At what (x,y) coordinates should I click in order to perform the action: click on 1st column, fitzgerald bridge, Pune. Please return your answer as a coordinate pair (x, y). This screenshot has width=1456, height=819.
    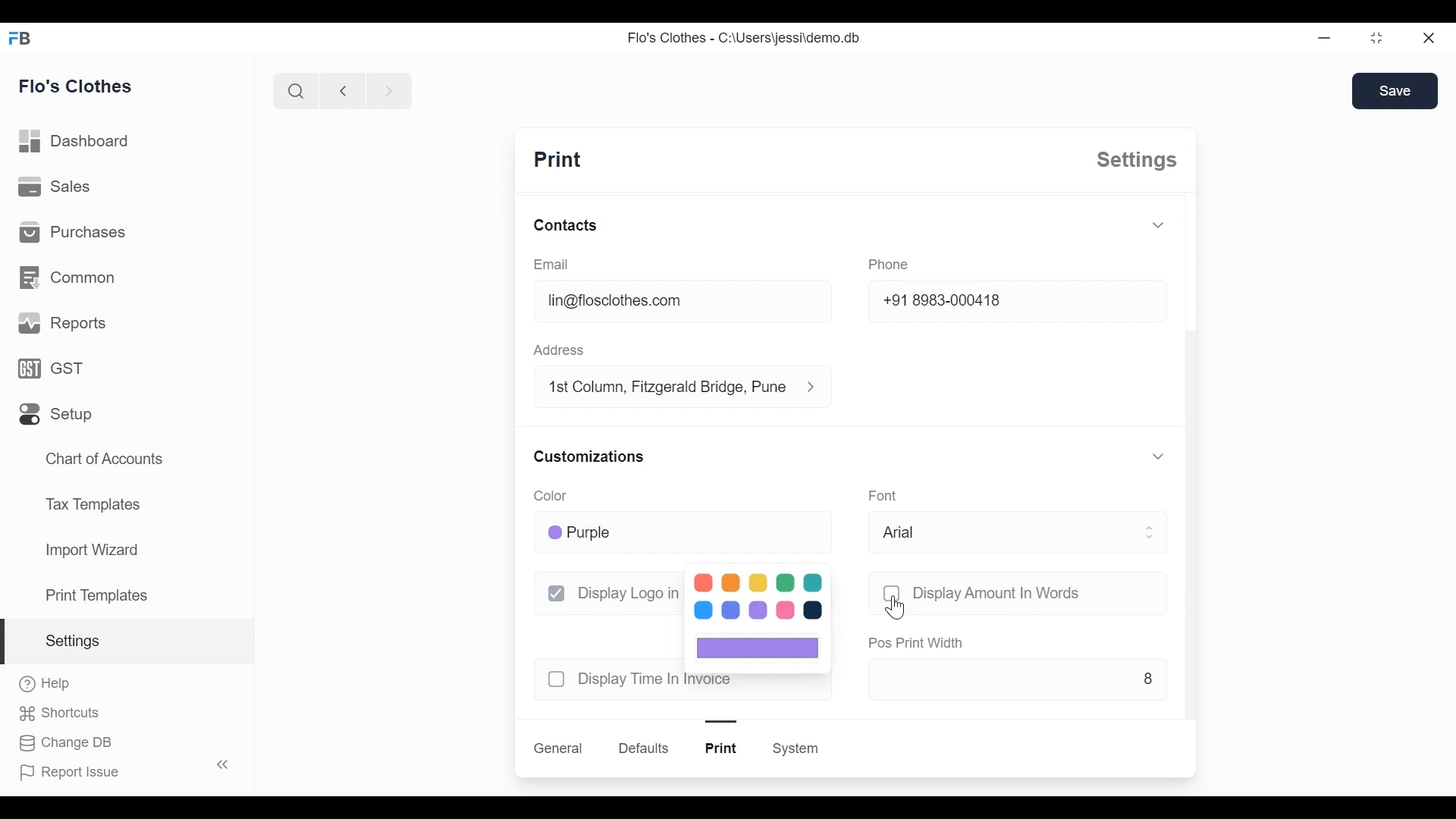
    Looking at the image, I should click on (666, 385).